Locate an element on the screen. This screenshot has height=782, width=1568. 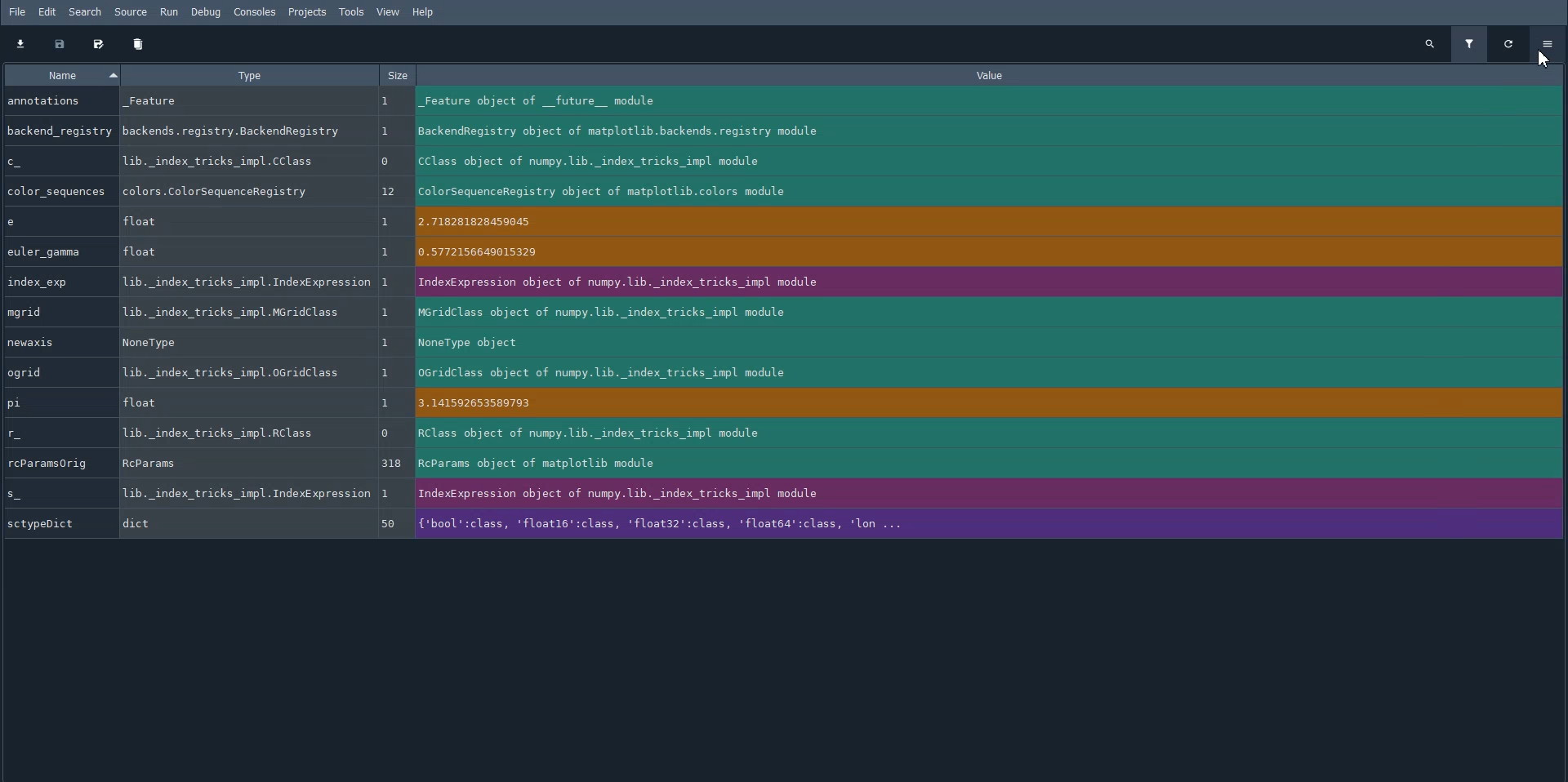
Impot Data is located at coordinates (20, 43).